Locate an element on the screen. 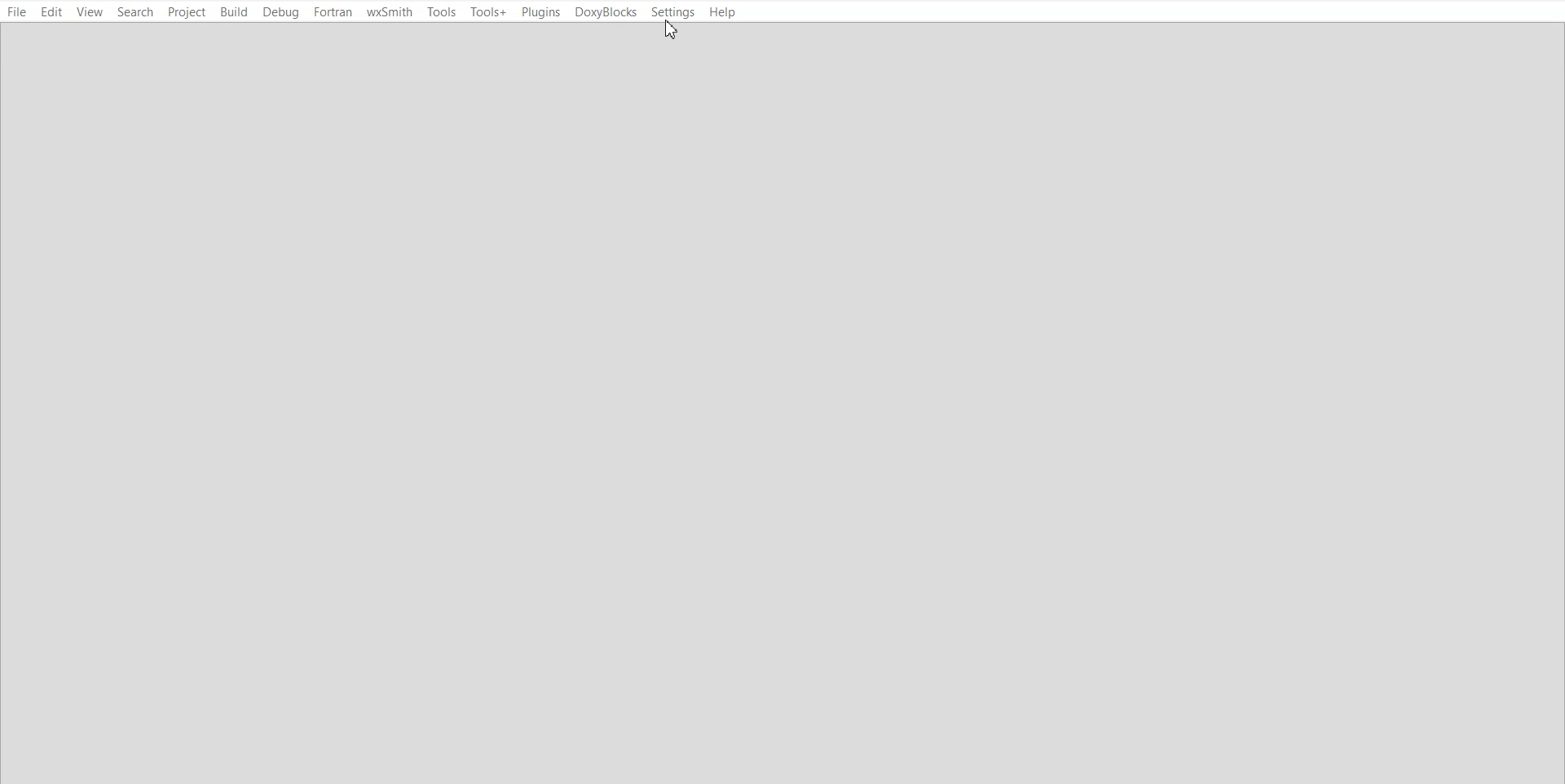 The width and height of the screenshot is (1565, 784). Tools is located at coordinates (442, 12).